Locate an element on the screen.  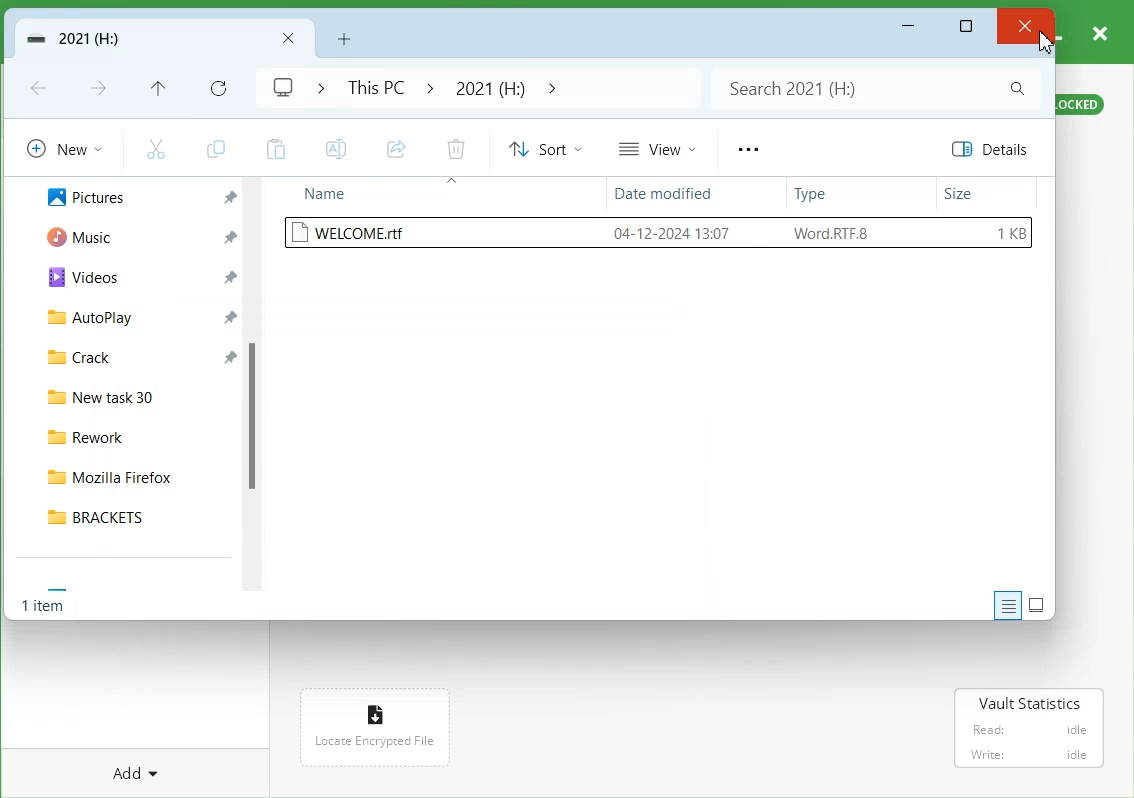
Go Forward is located at coordinates (101, 90).